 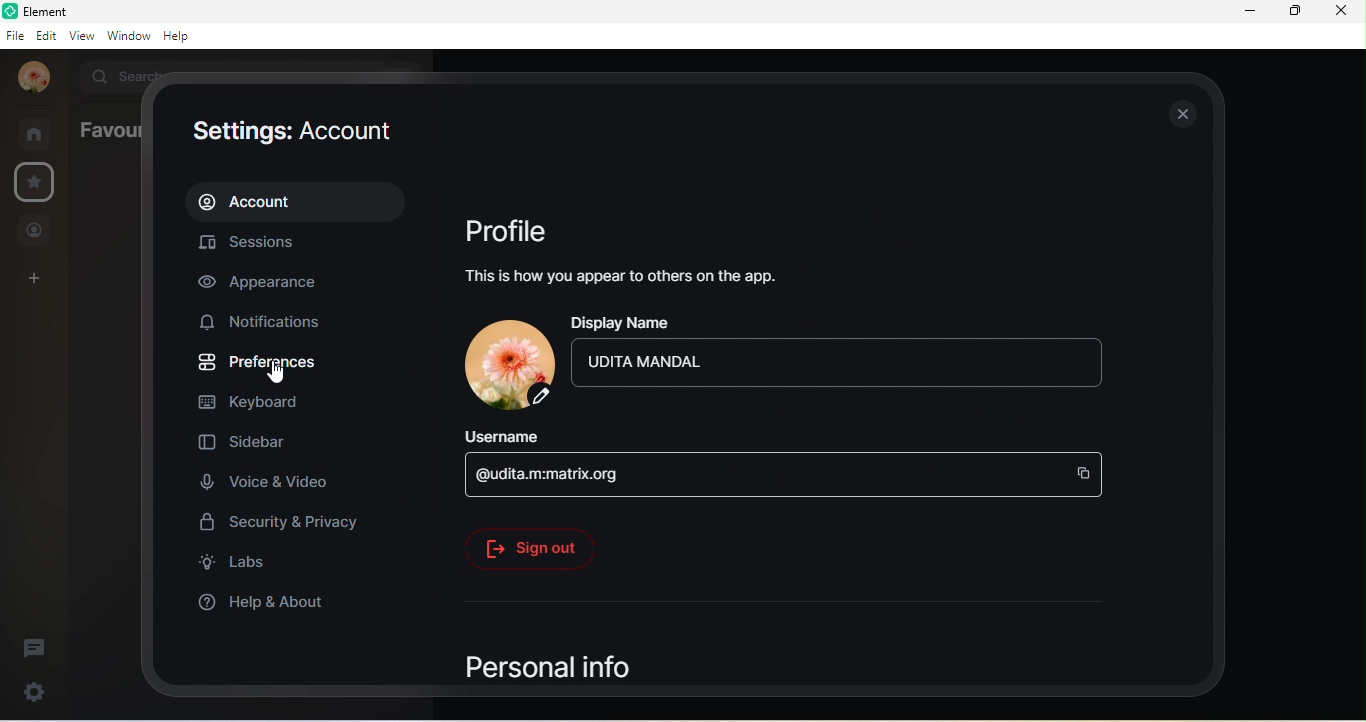 I want to click on preference, so click(x=260, y=364).